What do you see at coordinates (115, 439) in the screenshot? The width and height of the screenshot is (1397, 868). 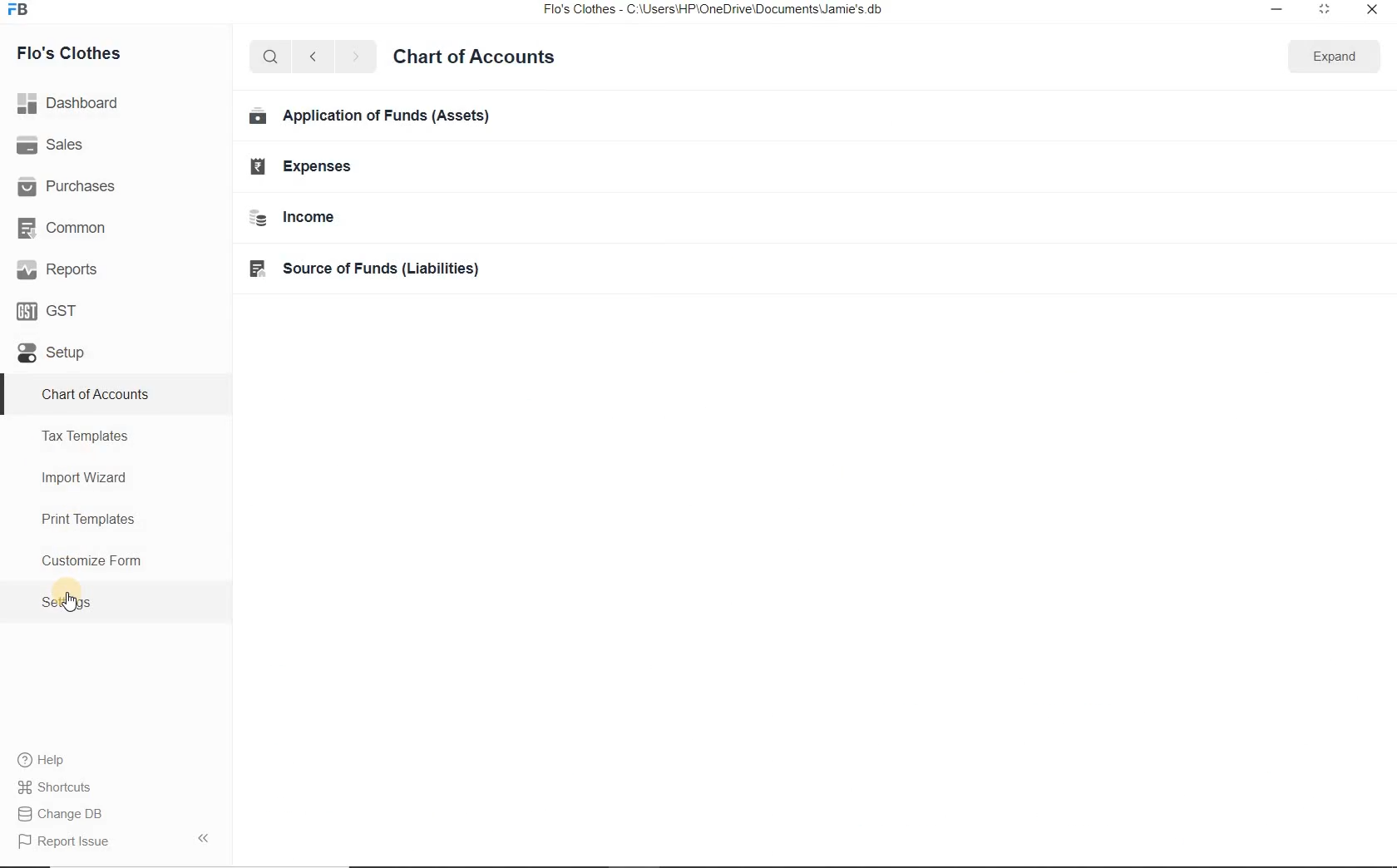 I see `Tax Templates` at bounding box center [115, 439].